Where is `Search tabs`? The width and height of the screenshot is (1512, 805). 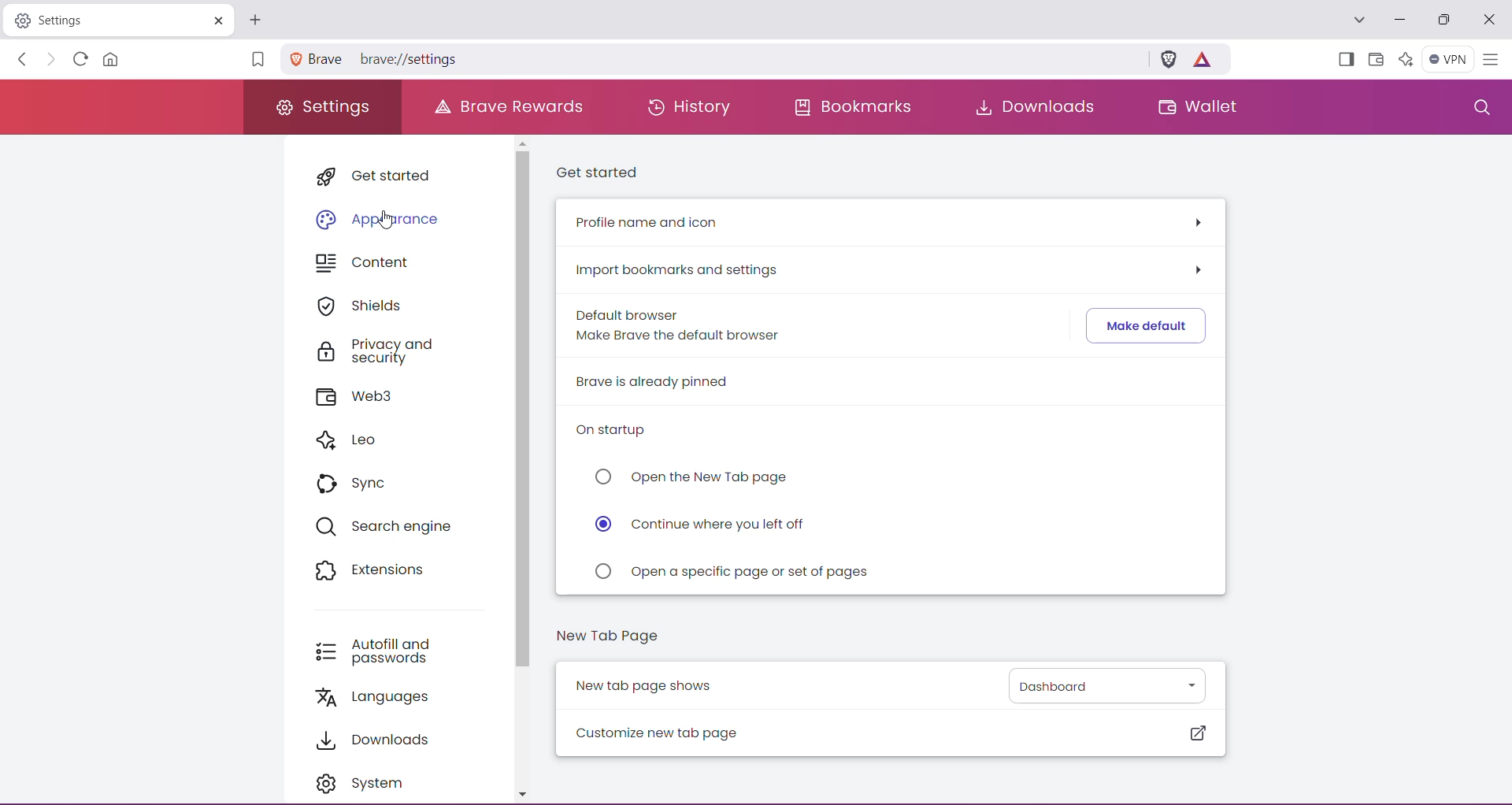 Search tabs is located at coordinates (1358, 20).